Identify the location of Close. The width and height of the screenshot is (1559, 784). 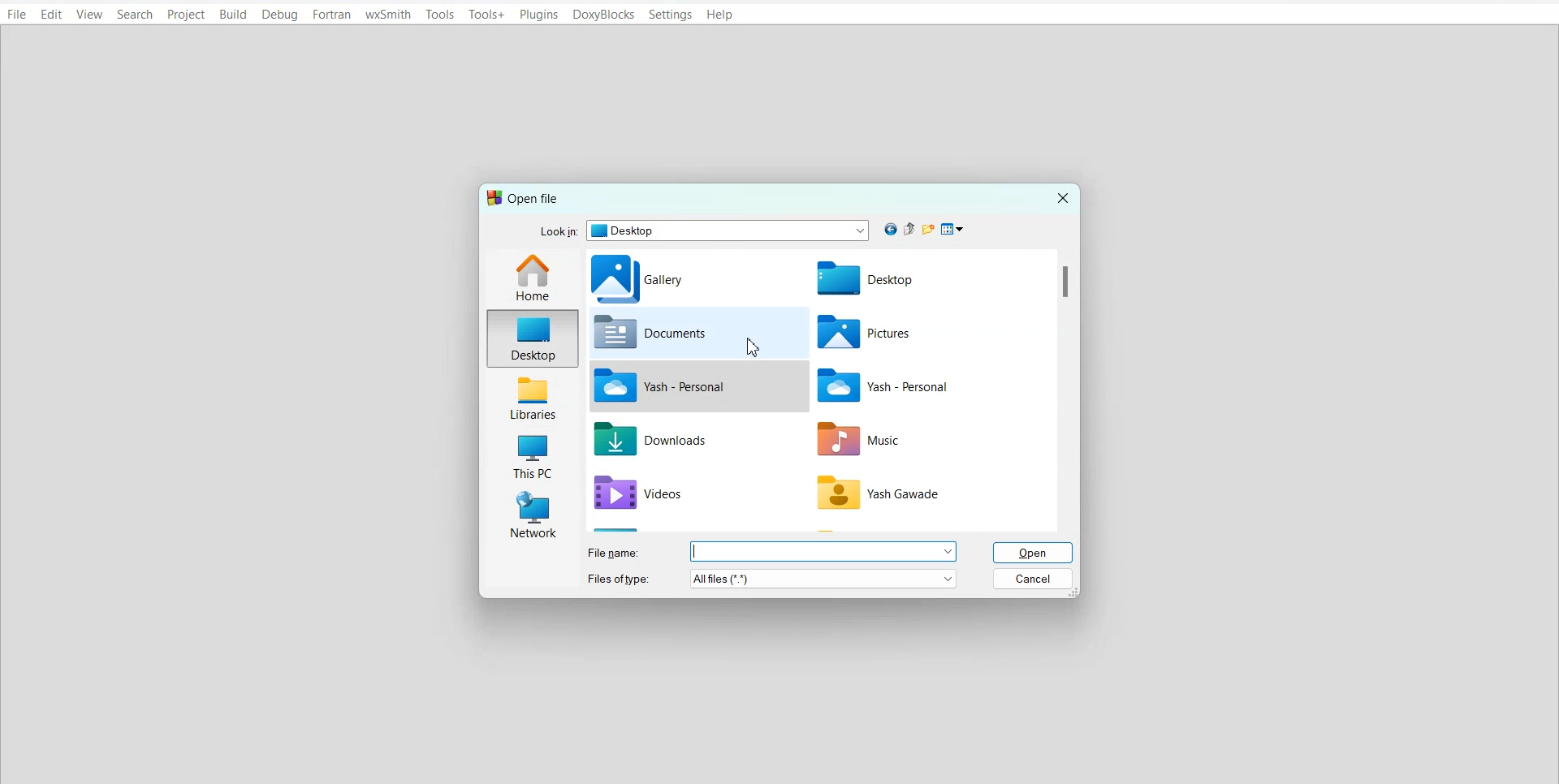
(1064, 196).